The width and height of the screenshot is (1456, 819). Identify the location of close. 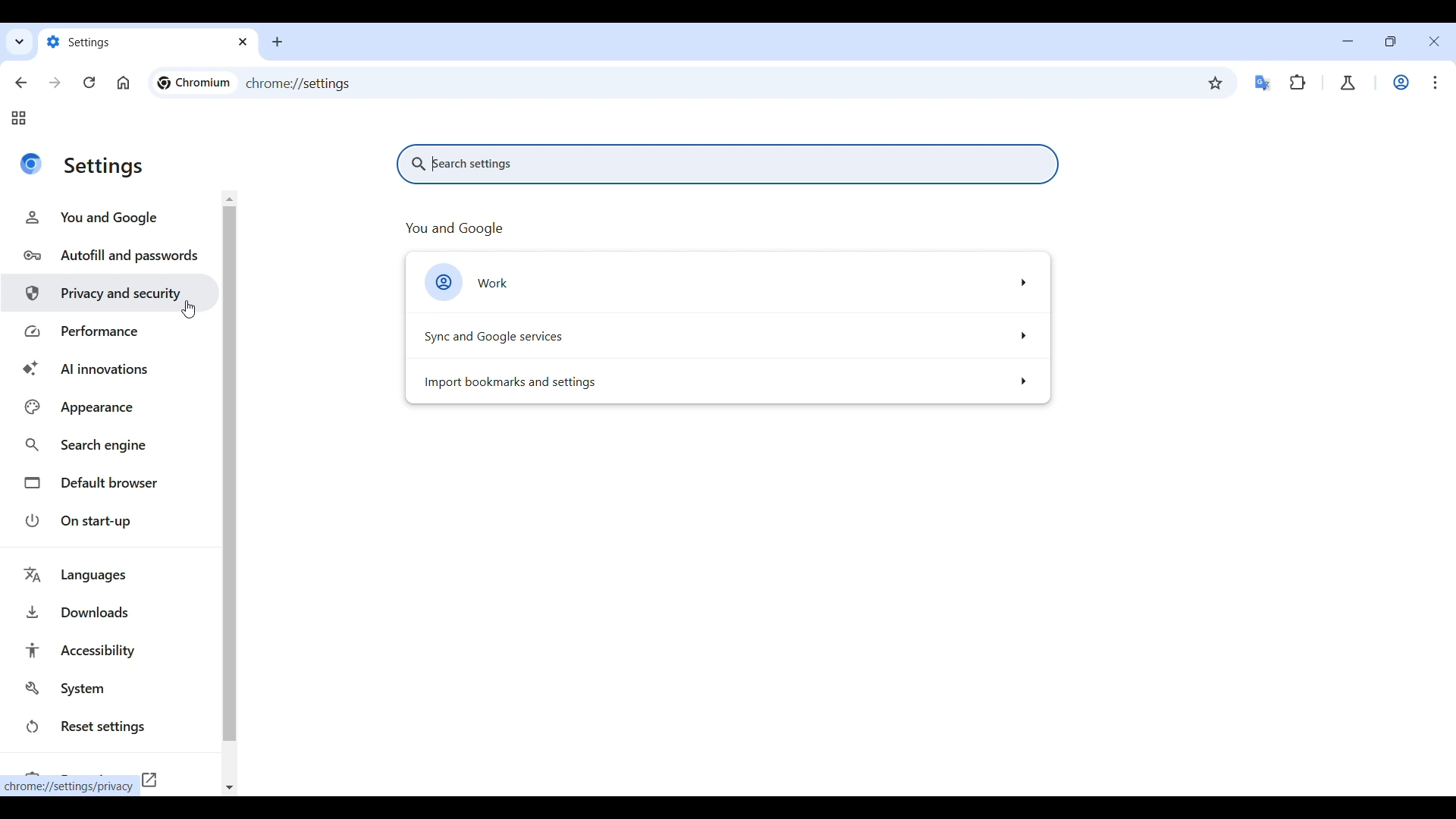
(243, 39).